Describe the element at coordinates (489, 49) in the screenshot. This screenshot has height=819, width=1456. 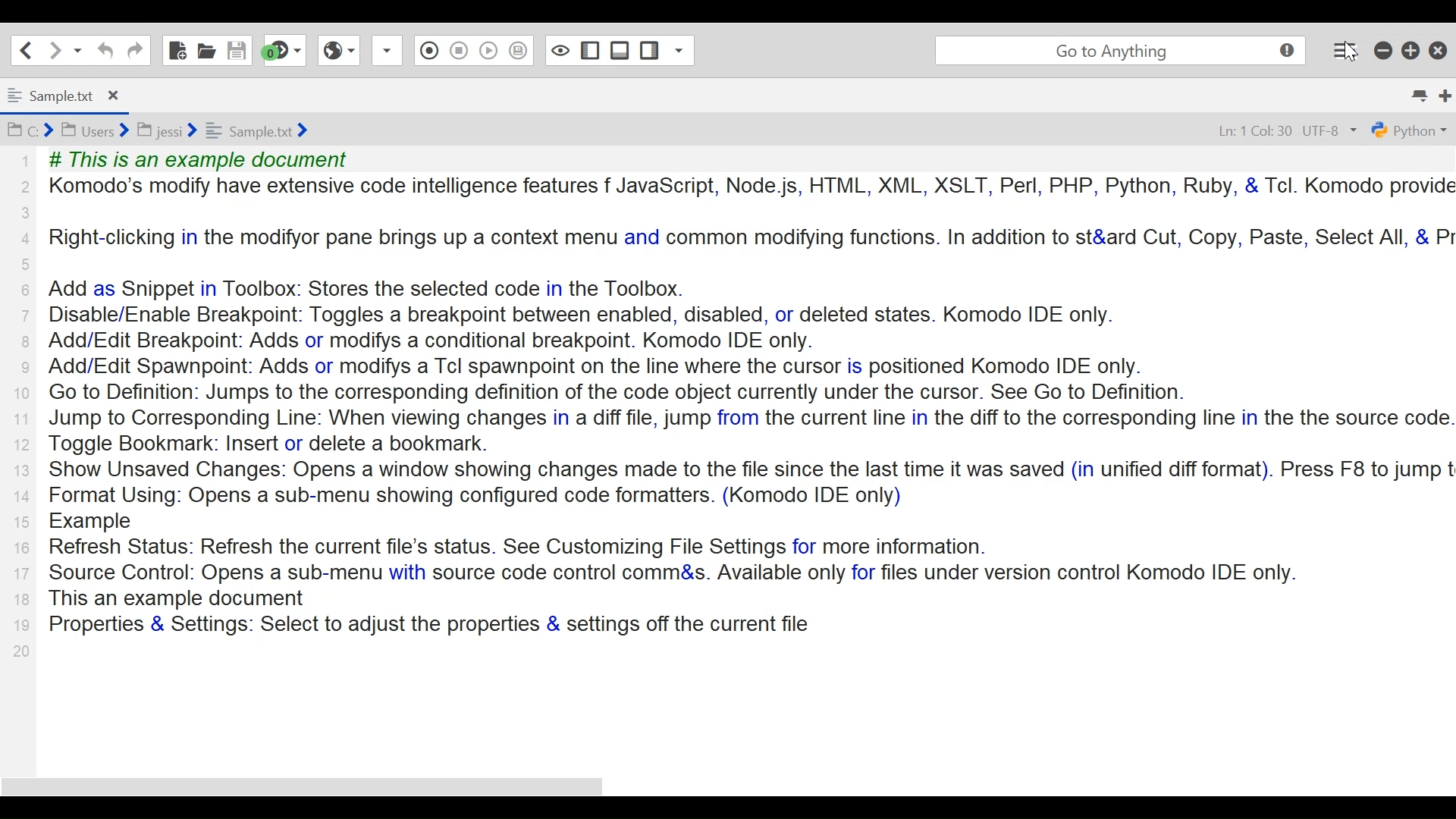
I see `Save Macro to Toolbox as Superscript` at that location.